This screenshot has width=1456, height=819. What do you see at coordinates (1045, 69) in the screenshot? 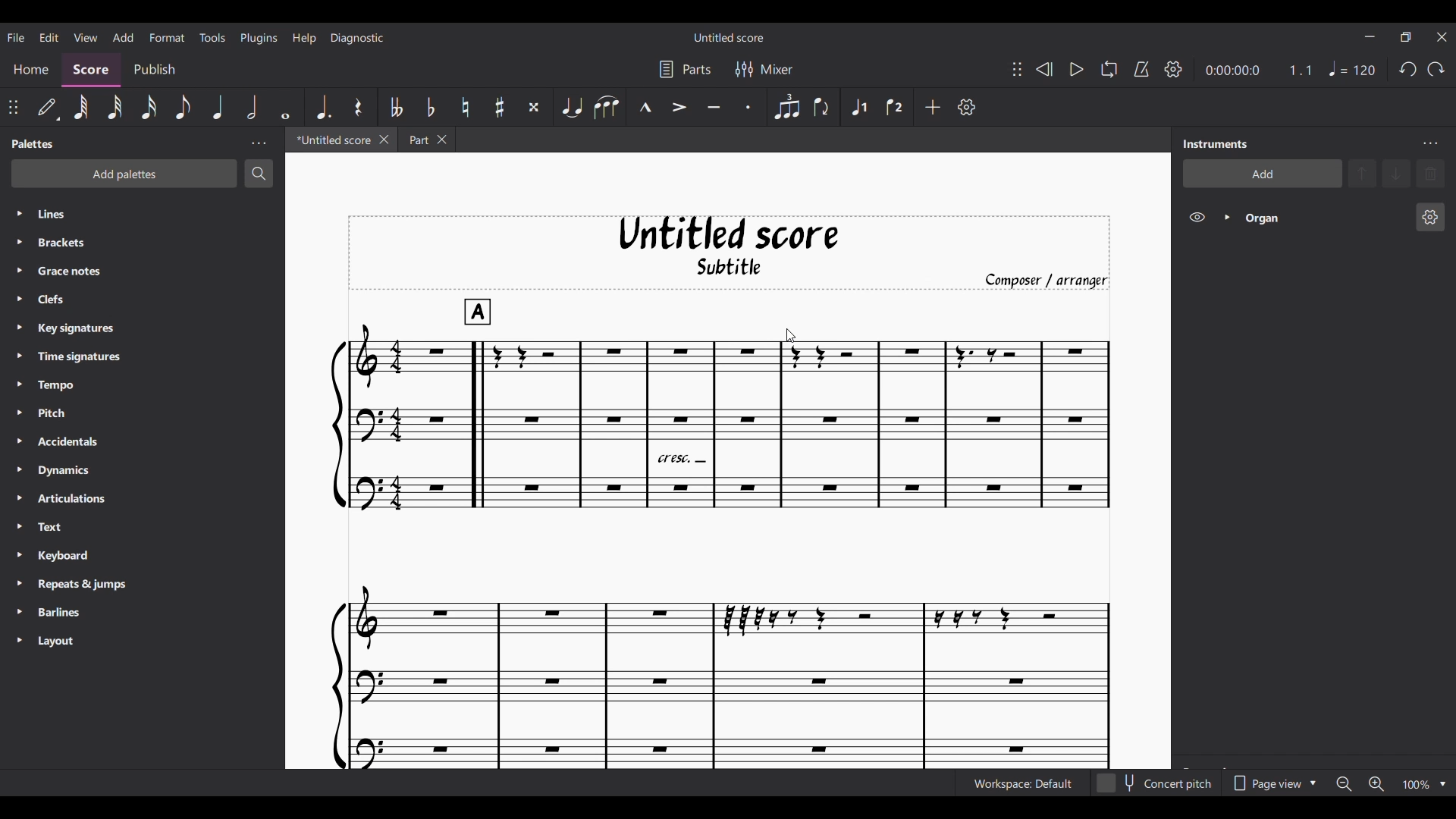
I see `Rewind` at bounding box center [1045, 69].